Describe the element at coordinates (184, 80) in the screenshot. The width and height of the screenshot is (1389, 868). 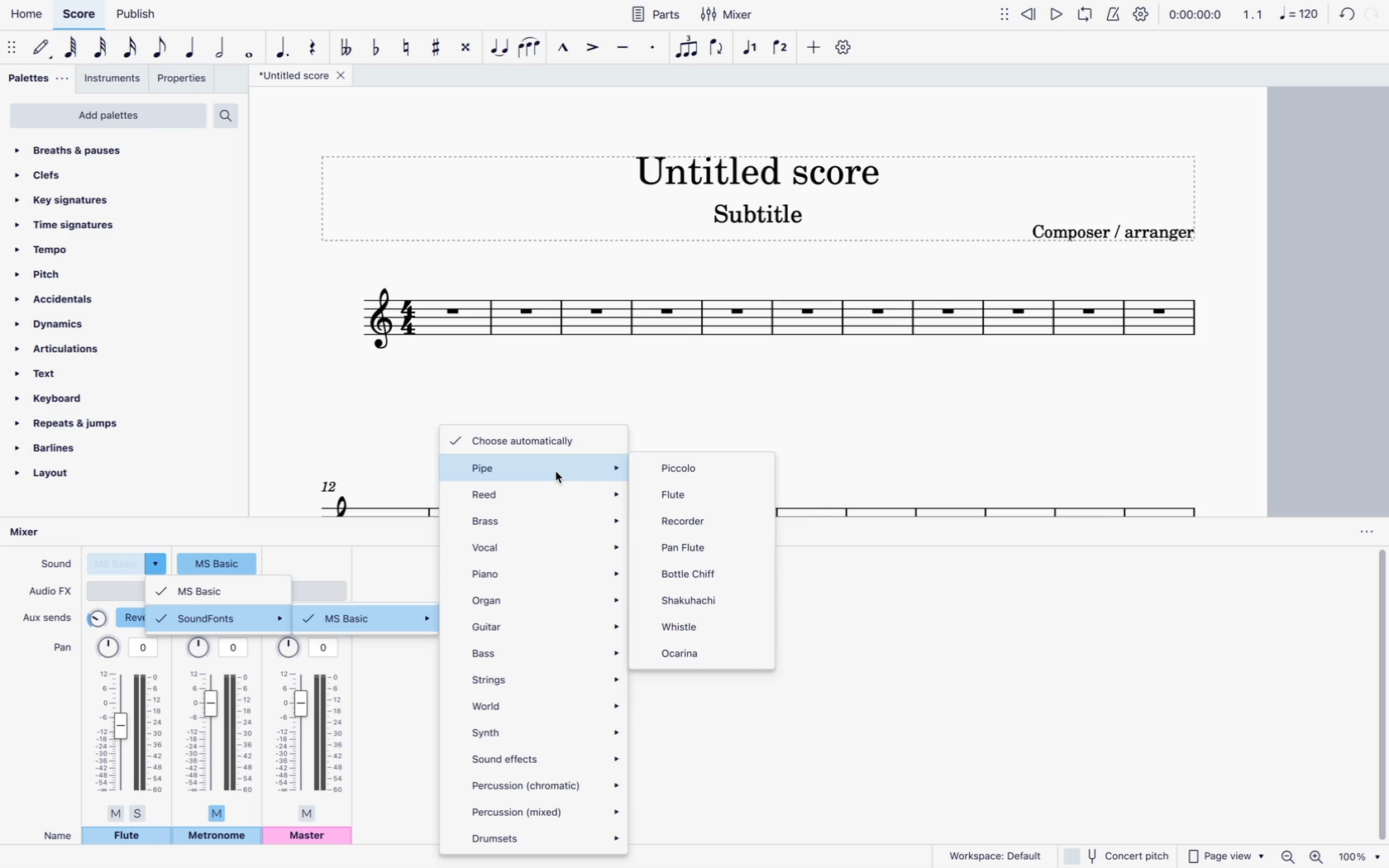
I see `properties` at that location.